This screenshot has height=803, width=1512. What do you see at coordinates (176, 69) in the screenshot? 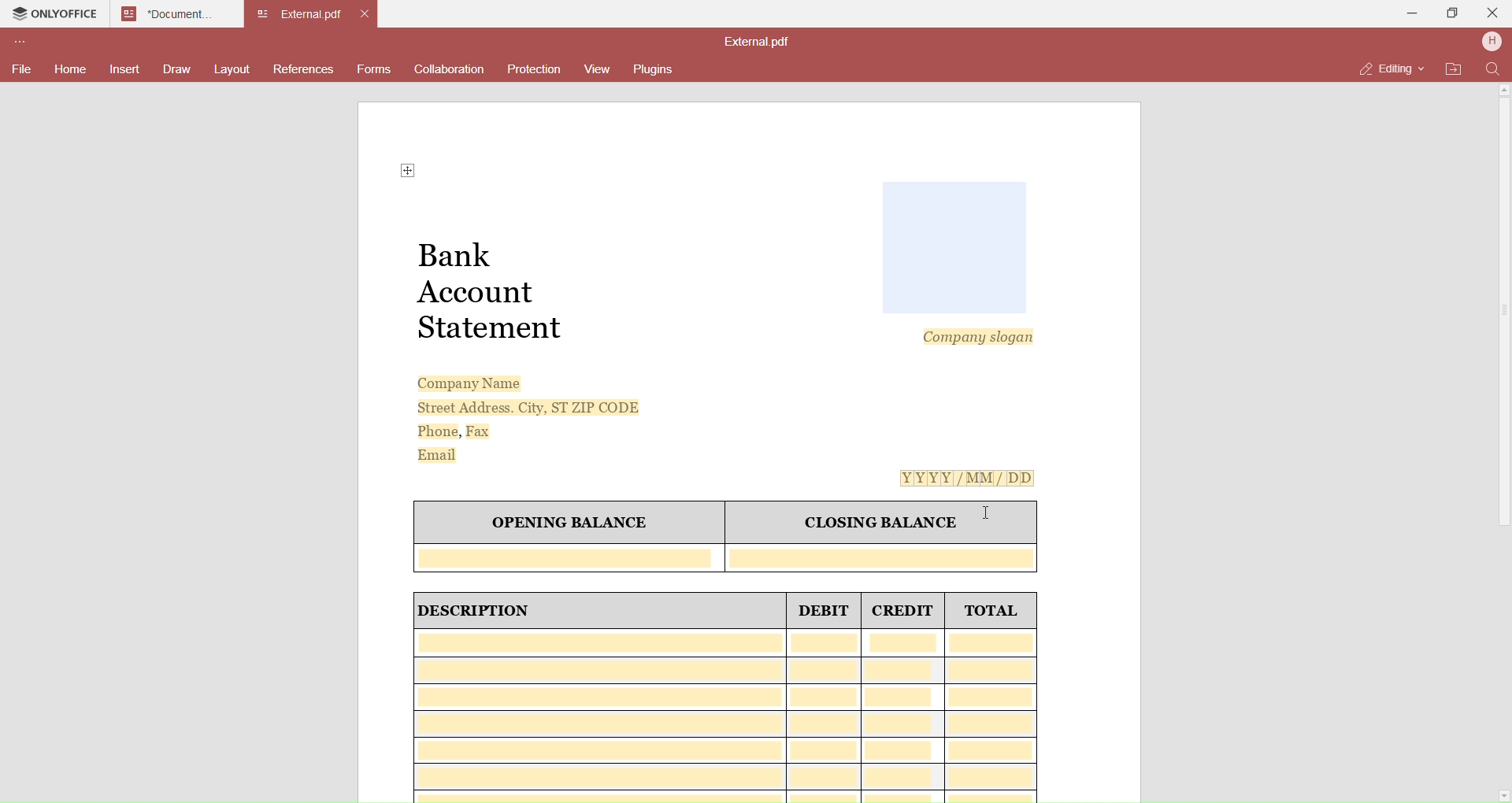
I see `Draw` at bounding box center [176, 69].